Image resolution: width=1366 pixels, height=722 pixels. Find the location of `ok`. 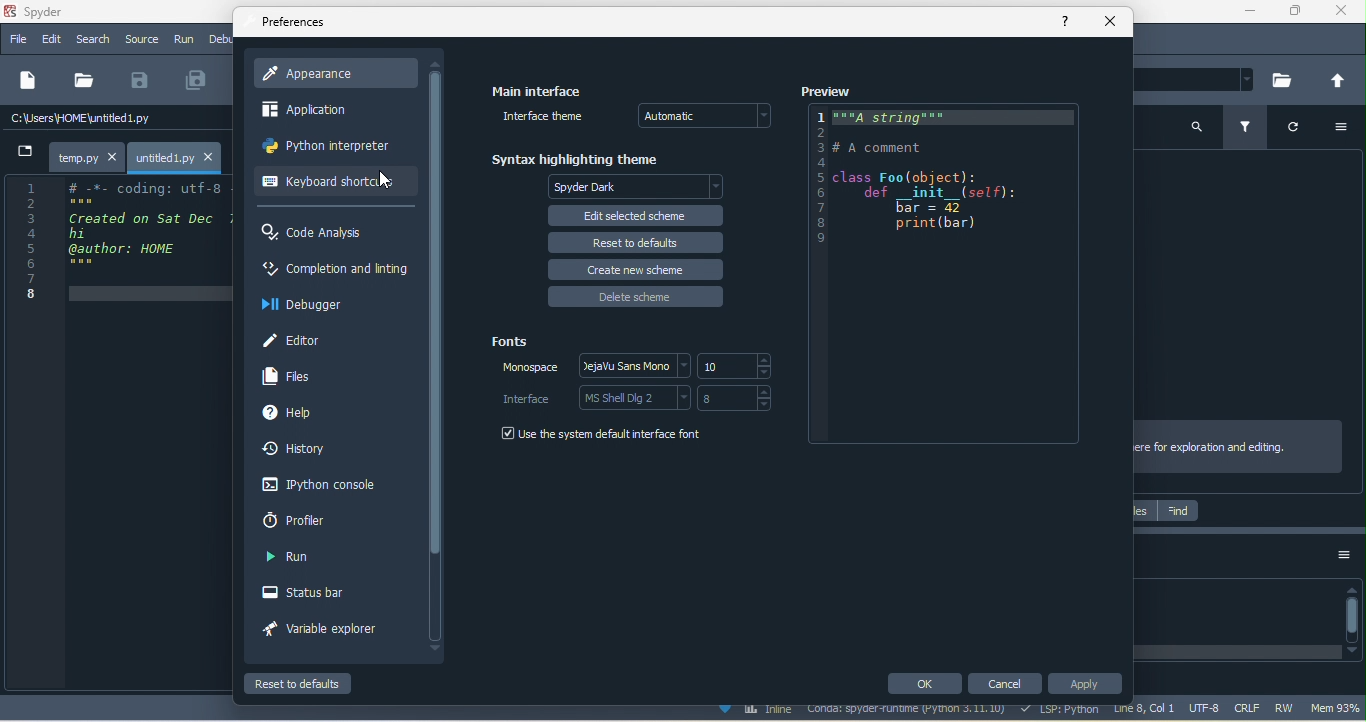

ok is located at coordinates (923, 684).